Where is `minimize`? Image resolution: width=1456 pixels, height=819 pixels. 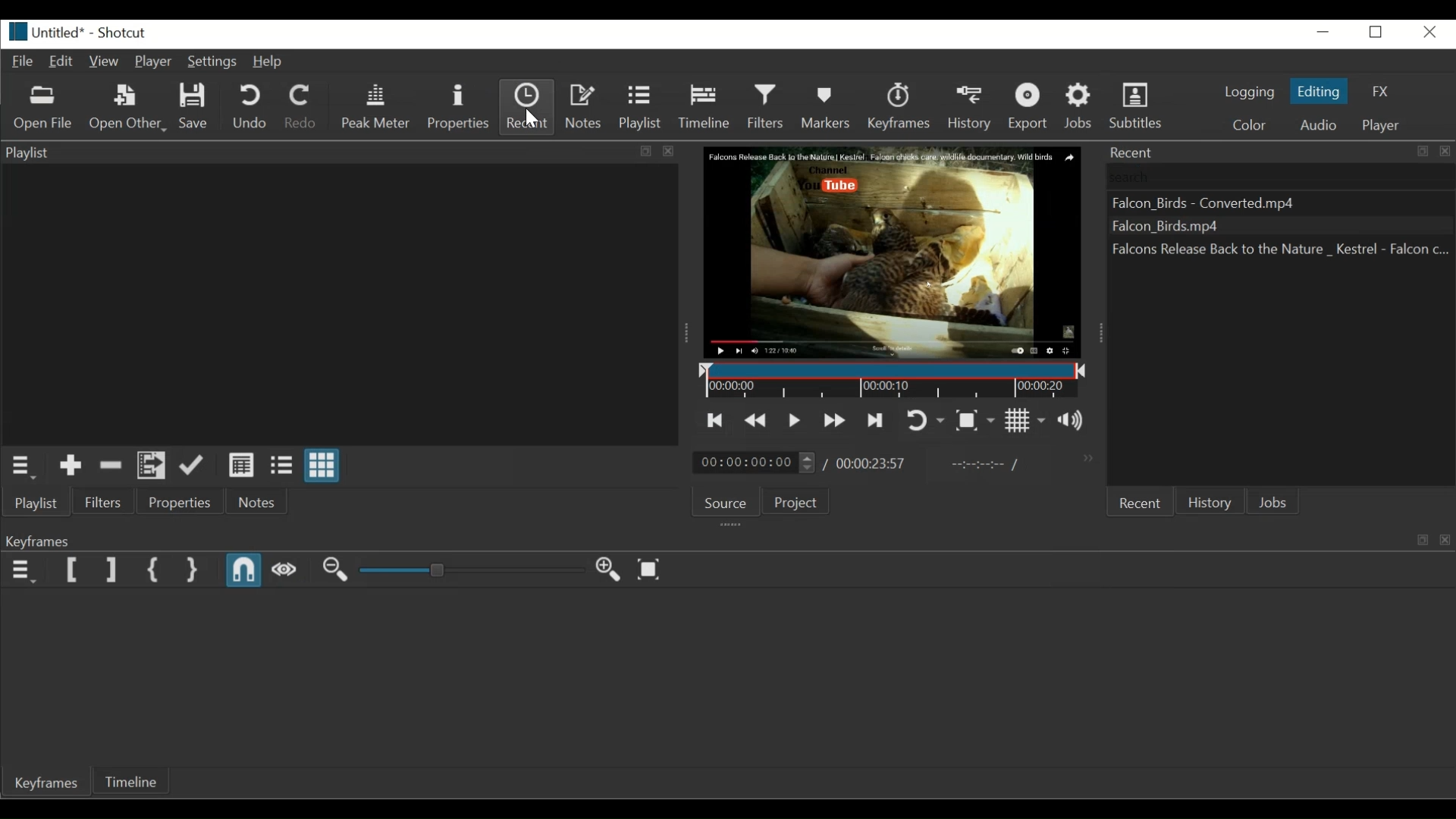 minimize is located at coordinates (1323, 32).